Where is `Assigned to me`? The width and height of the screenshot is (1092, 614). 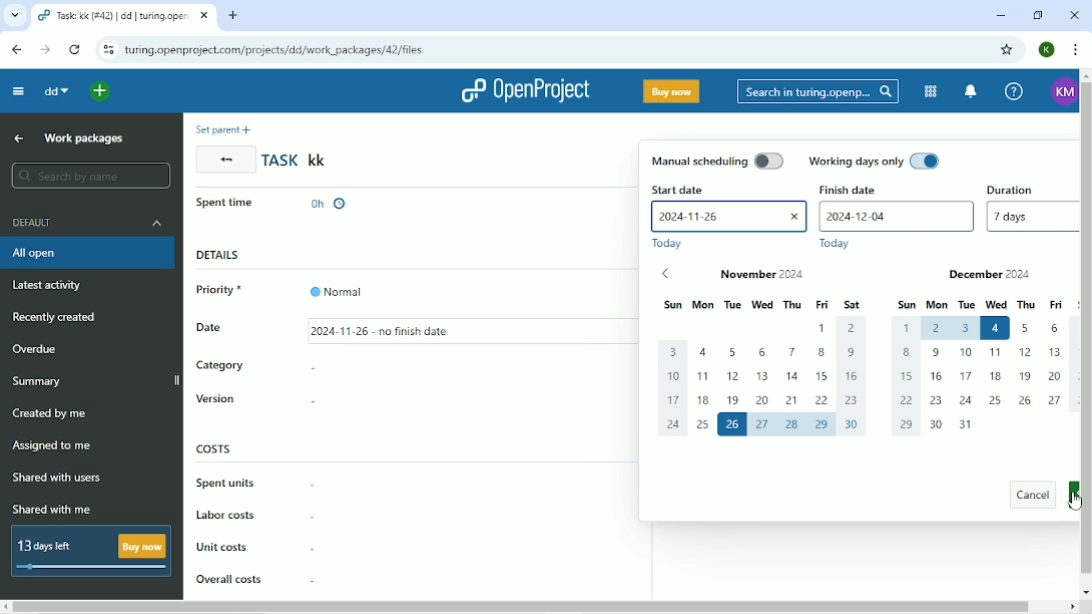 Assigned to me is located at coordinates (51, 445).